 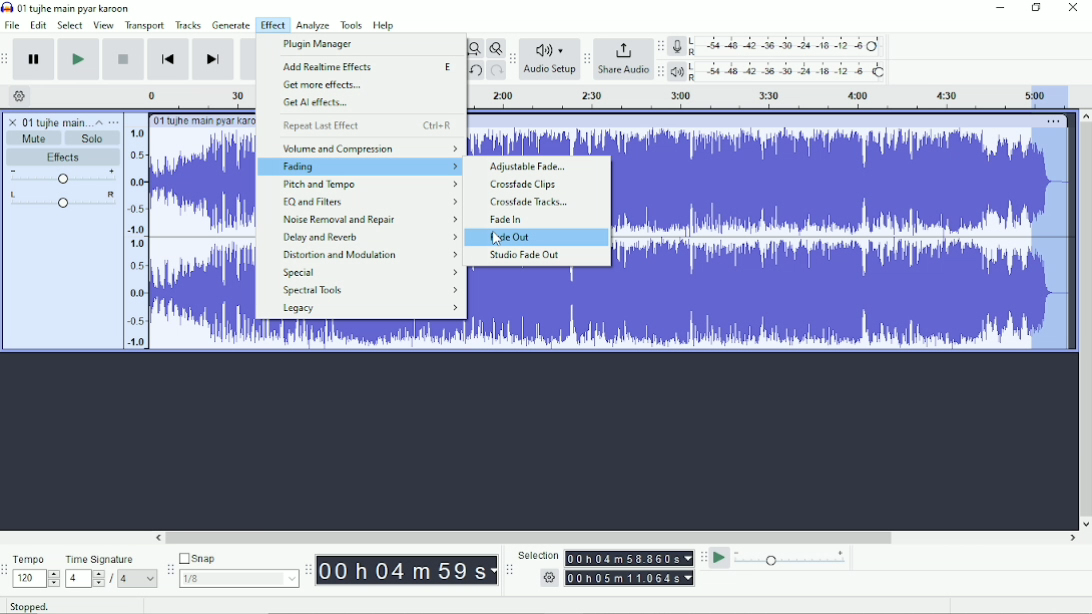 What do you see at coordinates (533, 202) in the screenshot?
I see `Crossfade Tracks` at bounding box center [533, 202].